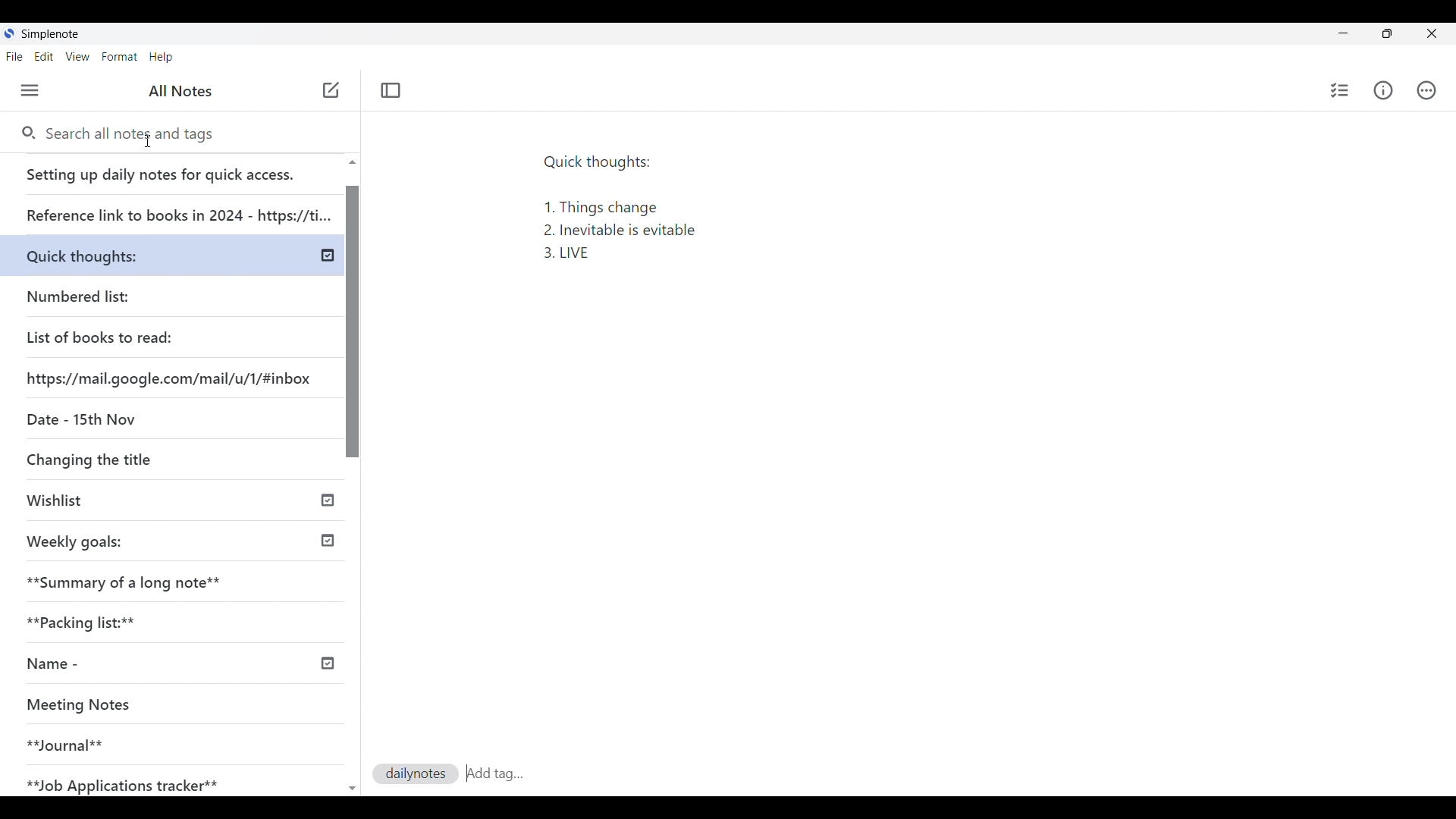 Image resolution: width=1456 pixels, height=819 pixels. Describe the element at coordinates (174, 170) in the screenshot. I see `Setting up daily notes` at that location.